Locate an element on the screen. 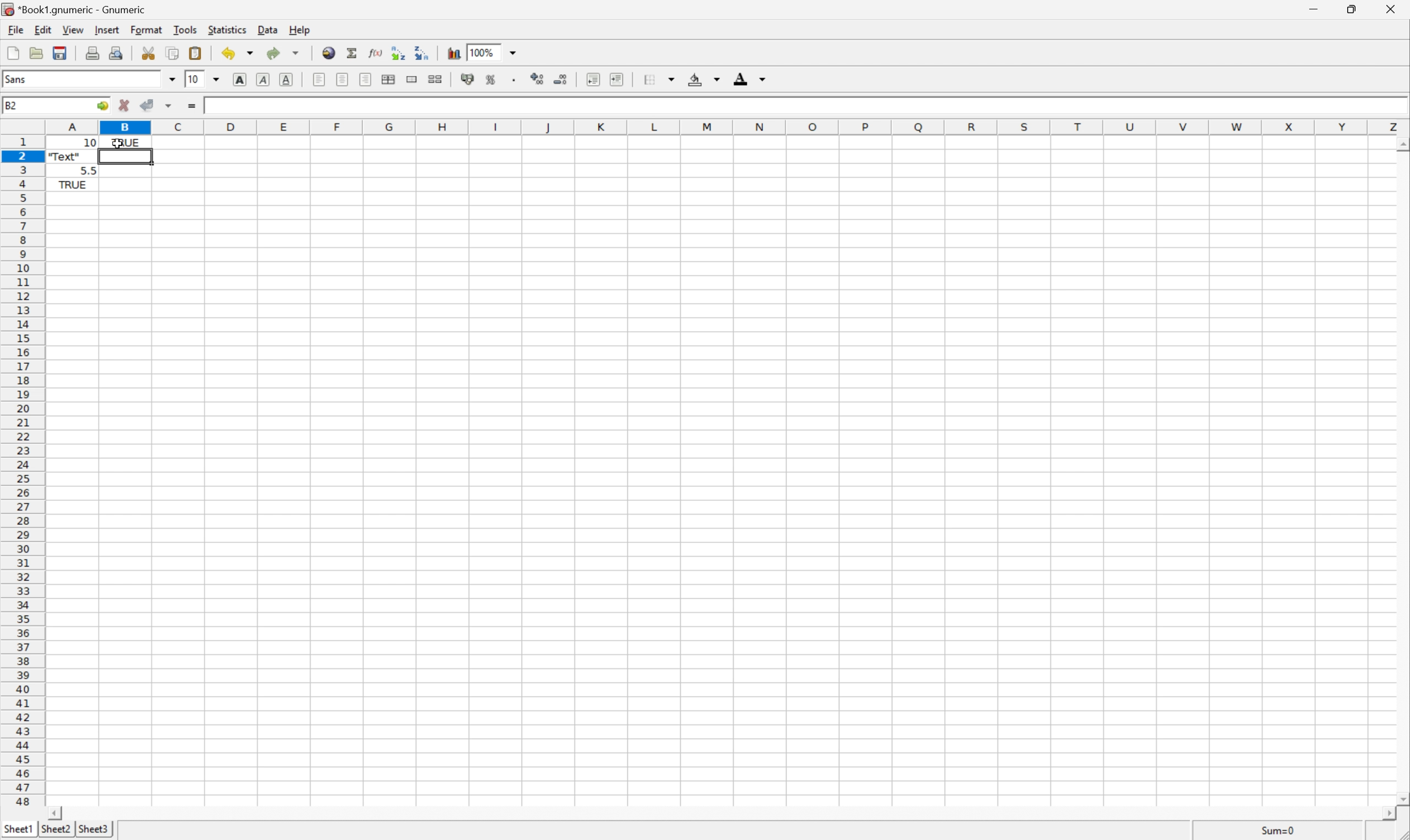  Sum in current cell is located at coordinates (353, 53).